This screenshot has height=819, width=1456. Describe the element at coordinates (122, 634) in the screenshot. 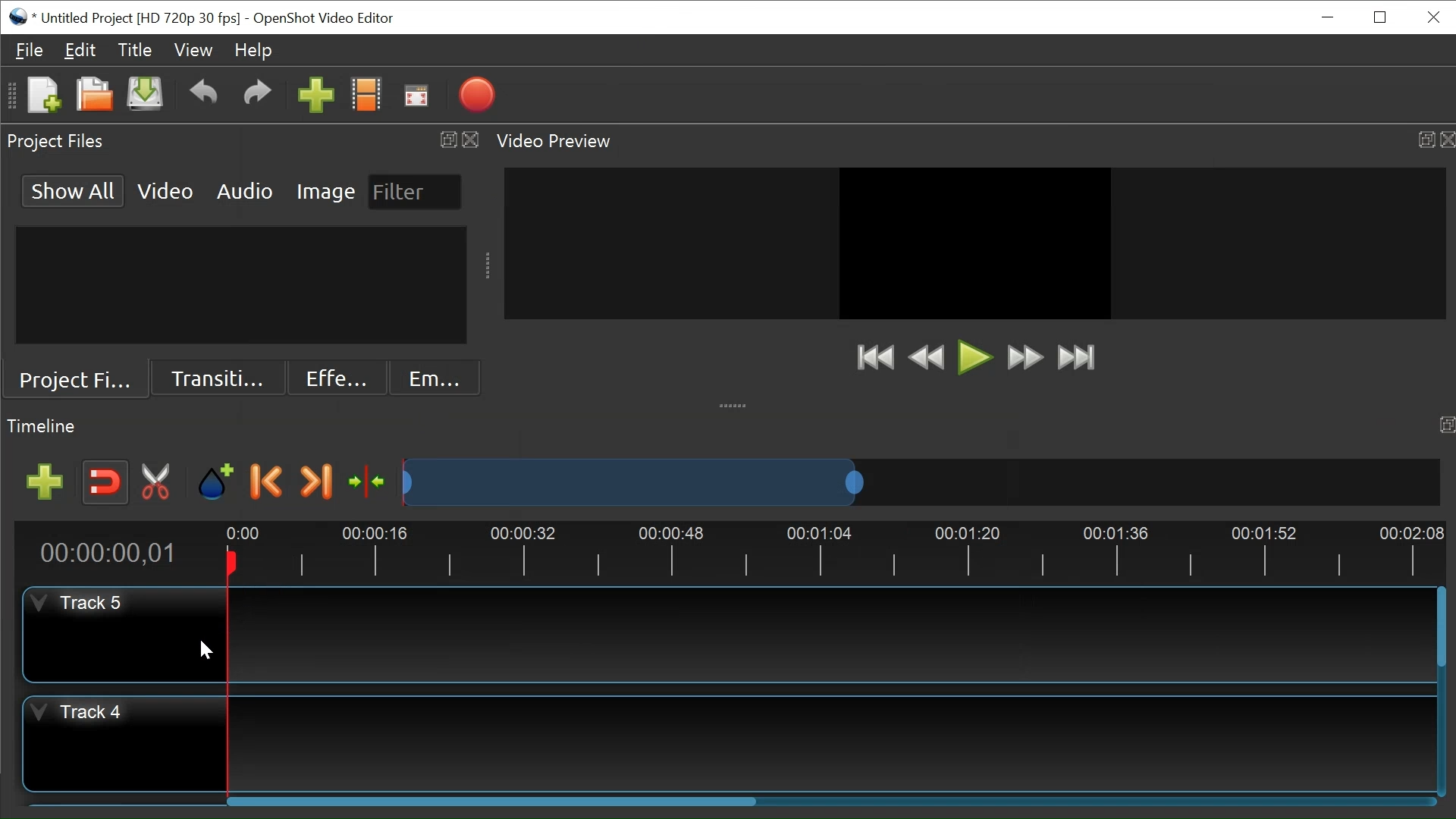

I see `Track Header` at that location.